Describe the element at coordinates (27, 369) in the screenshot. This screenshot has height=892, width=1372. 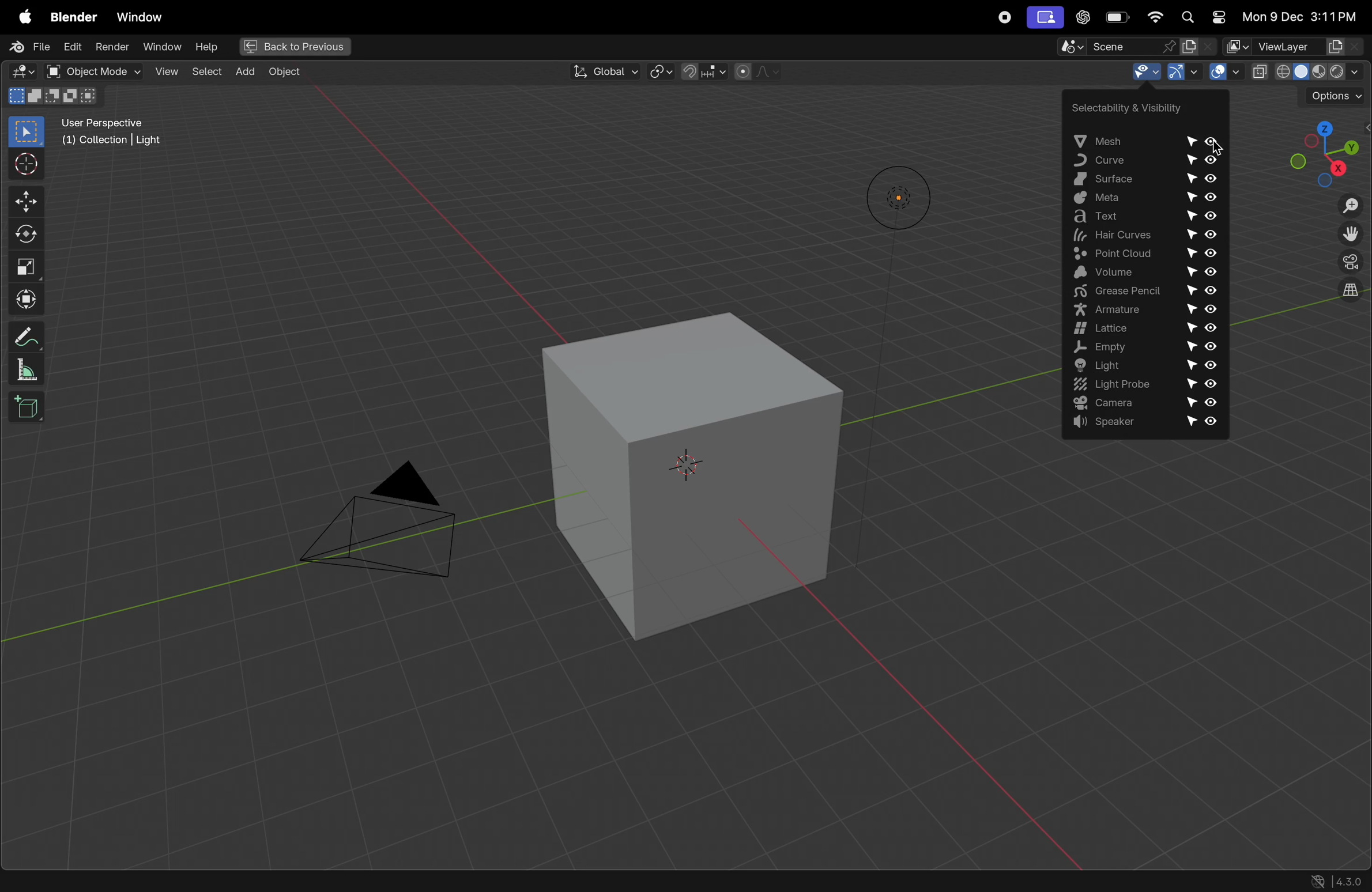
I see `scale` at that location.